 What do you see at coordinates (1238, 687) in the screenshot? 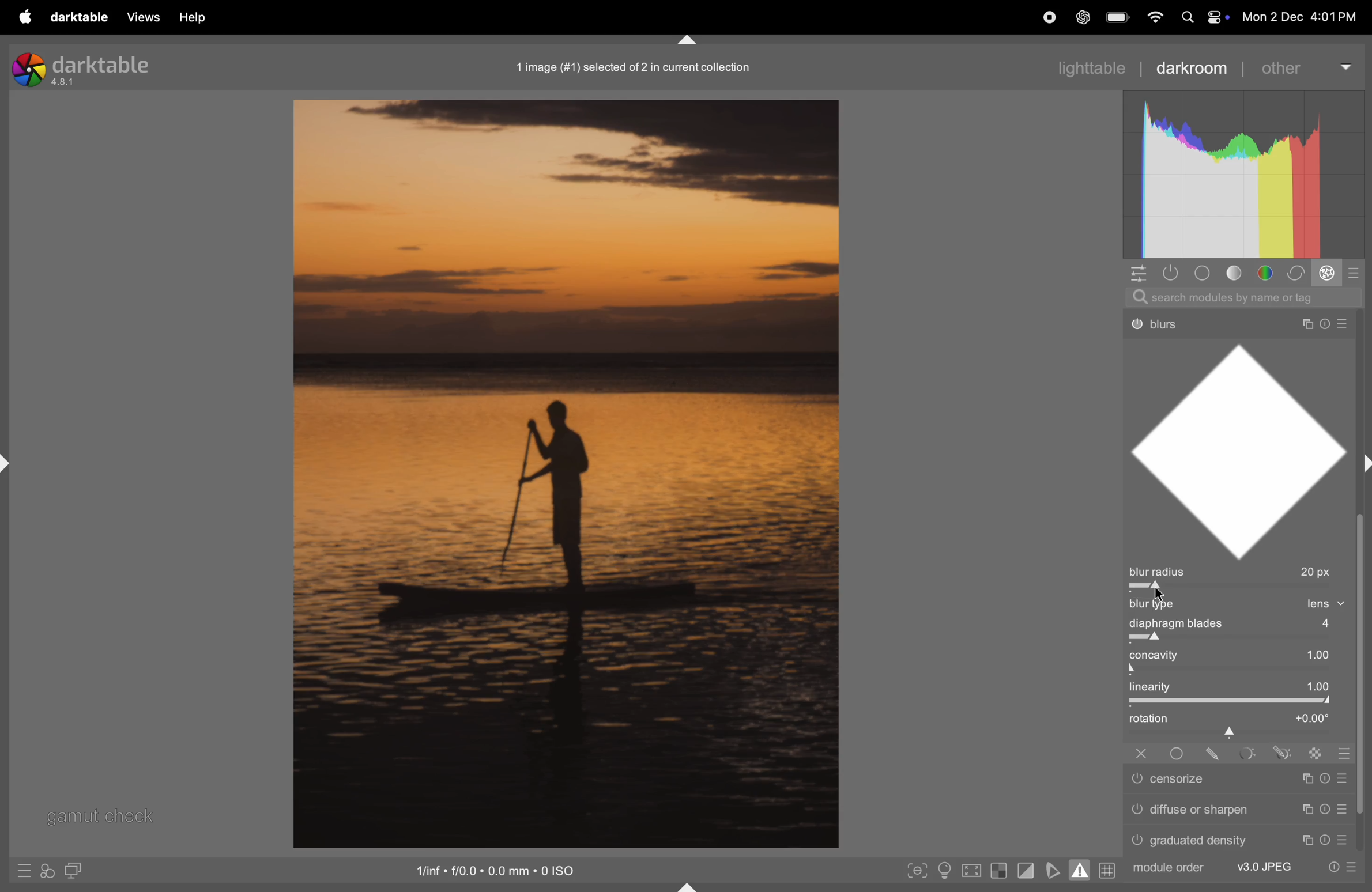
I see `linearty` at bounding box center [1238, 687].